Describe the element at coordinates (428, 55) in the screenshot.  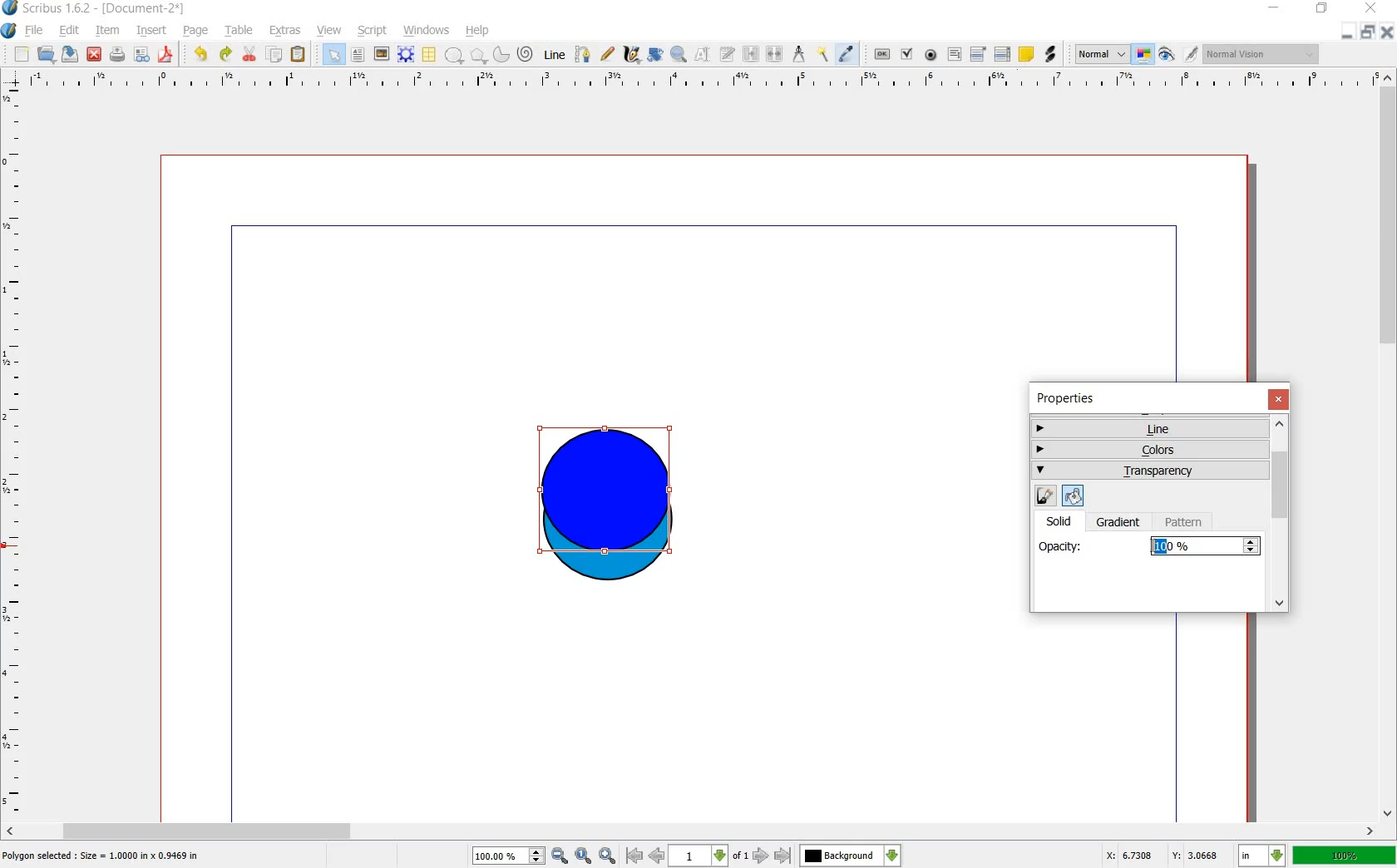
I see `table` at that location.